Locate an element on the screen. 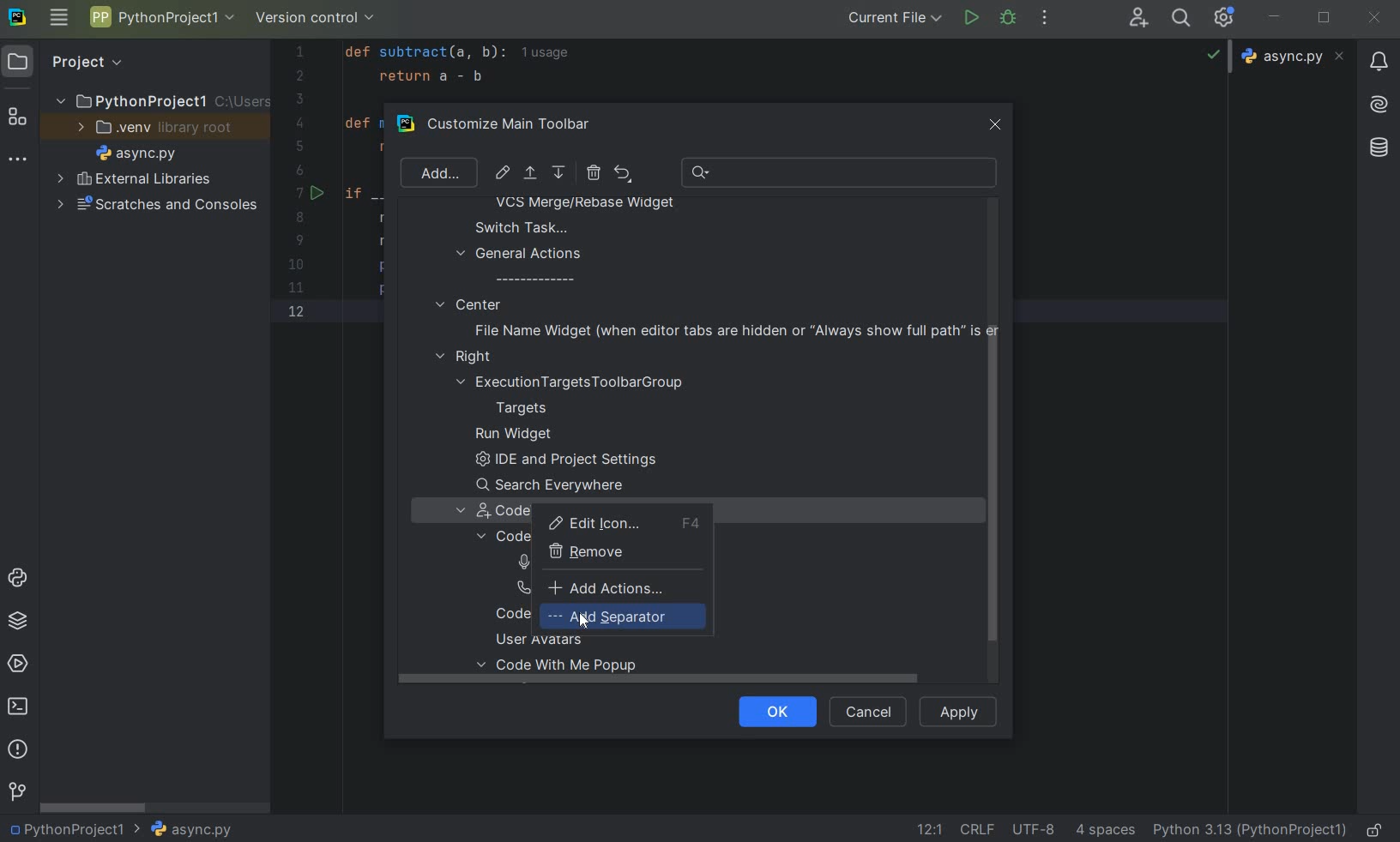 Image resolution: width=1400 pixels, height=842 pixels. CURRENT INTERPRETER is located at coordinates (1249, 829).